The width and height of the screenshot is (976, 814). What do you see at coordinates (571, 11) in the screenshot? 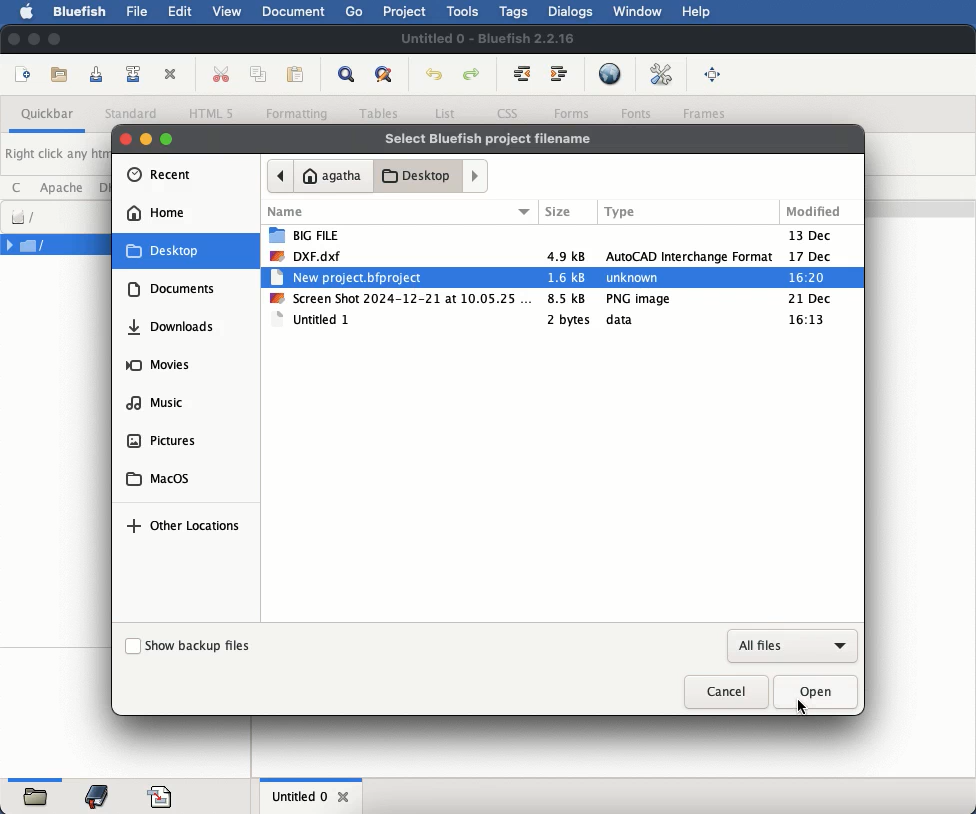
I see `dialogs` at bounding box center [571, 11].